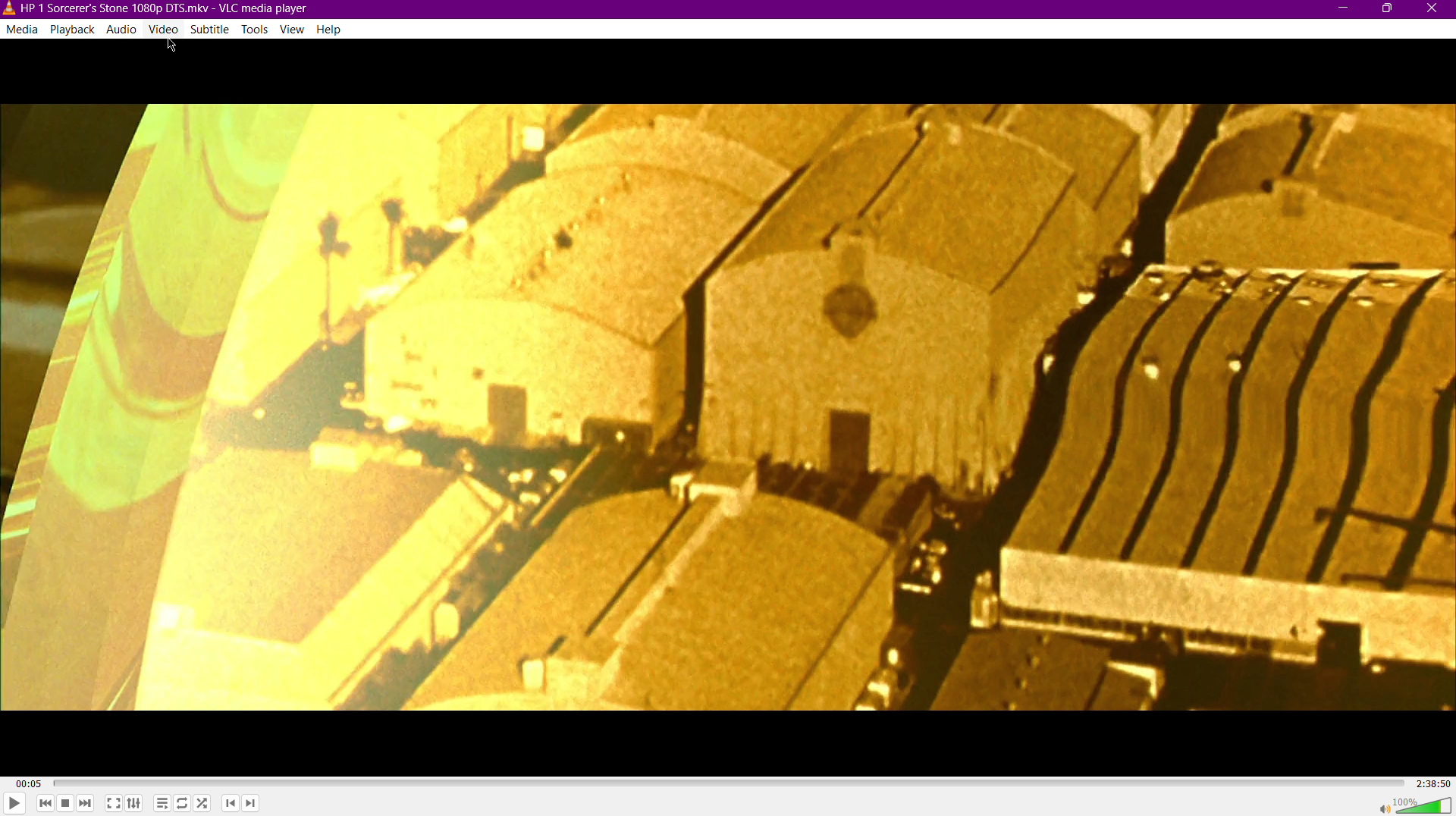 Image resolution: width=1456 pixels, height=816 pixels. What do you see at coordinates (170, 45) in the screenshot?
I see `Cursor Position` at bounding box center [170, 45].